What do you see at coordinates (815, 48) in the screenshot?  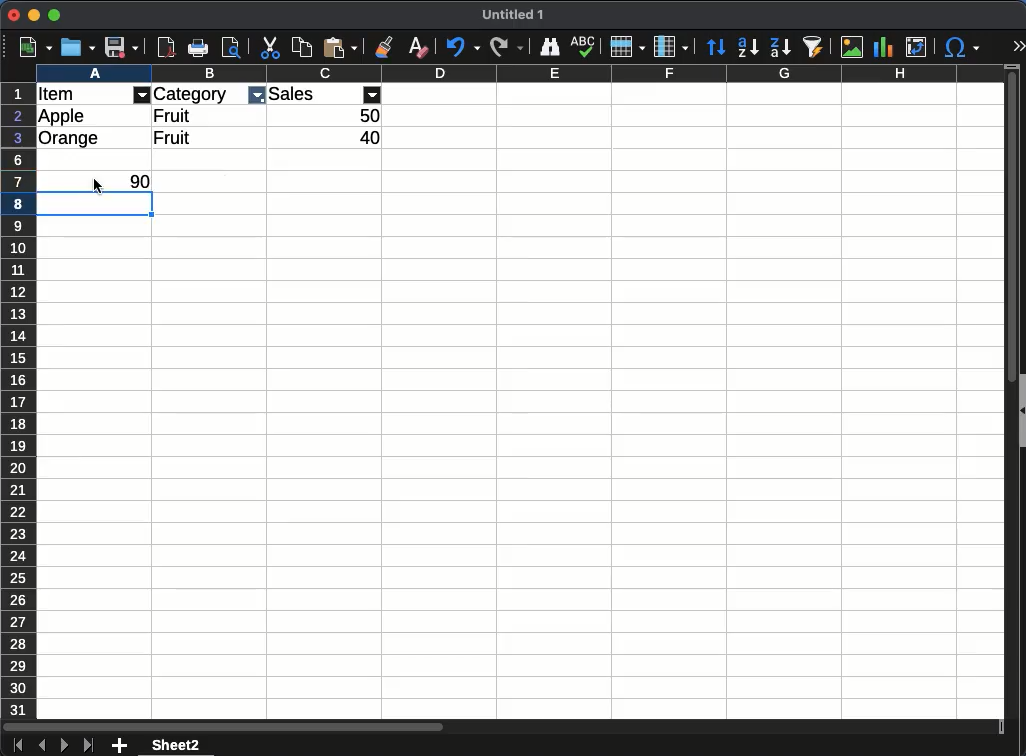 I see `autofilter` at bounding box center [815, 48].